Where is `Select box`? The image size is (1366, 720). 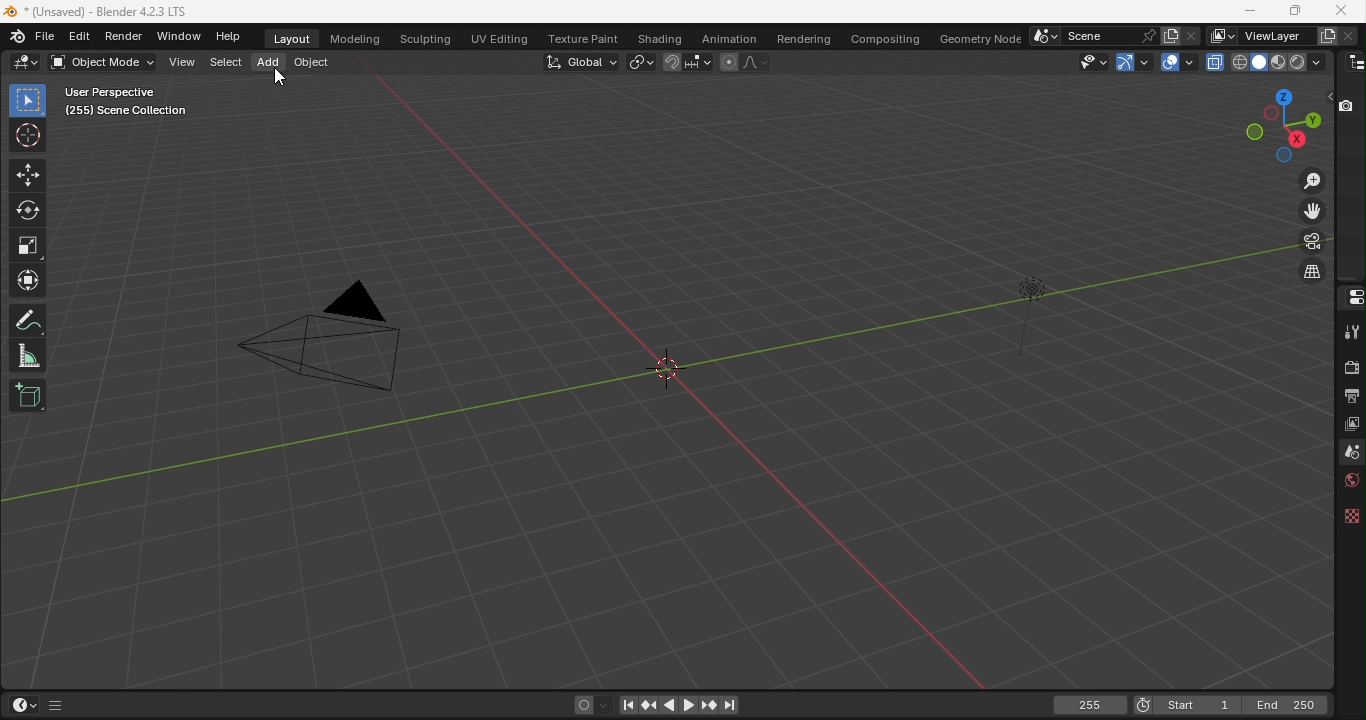 Select box is located at coordinates (28, 100).